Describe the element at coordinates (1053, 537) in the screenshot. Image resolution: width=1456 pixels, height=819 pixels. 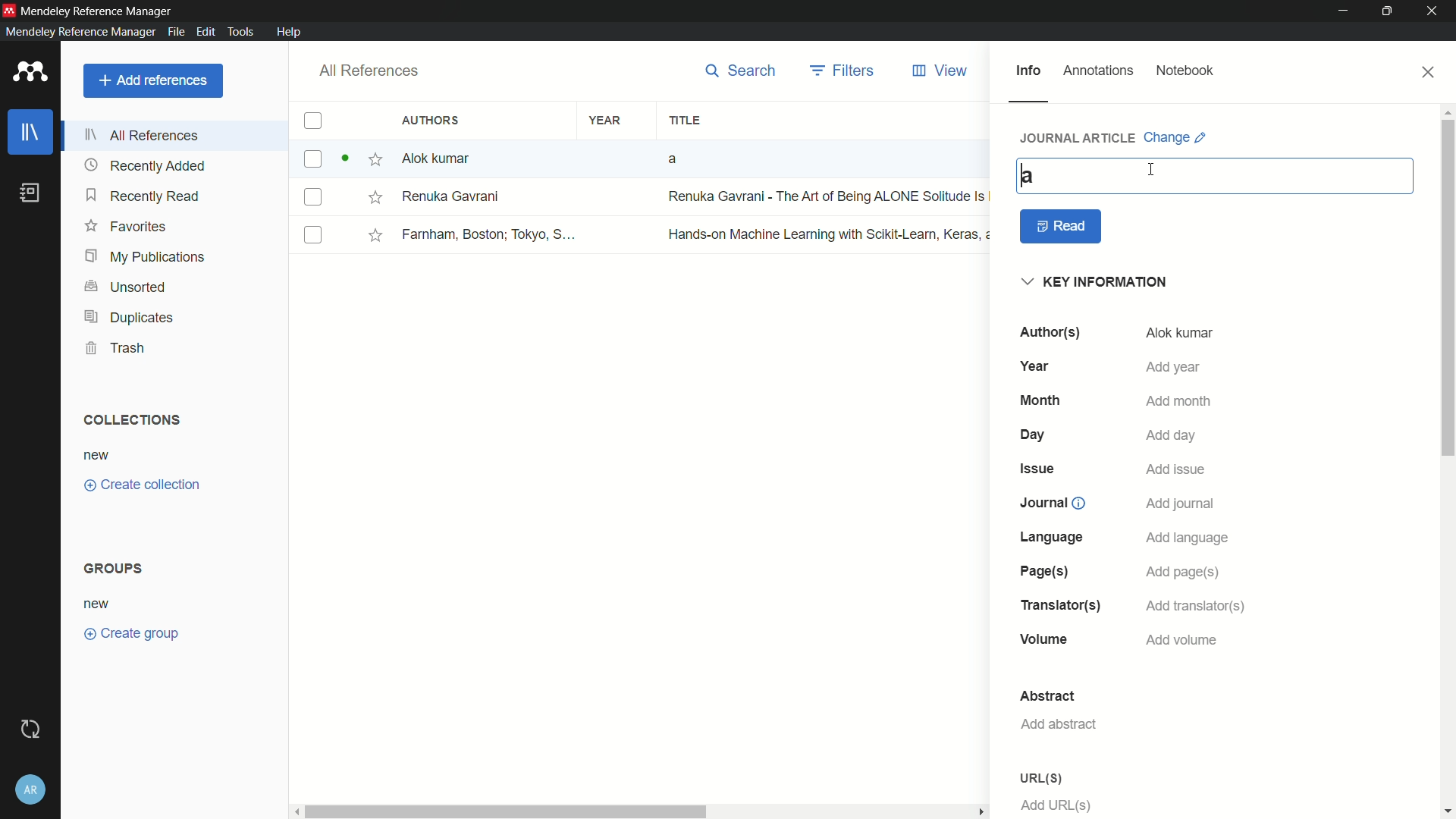
I see `language` at that location.